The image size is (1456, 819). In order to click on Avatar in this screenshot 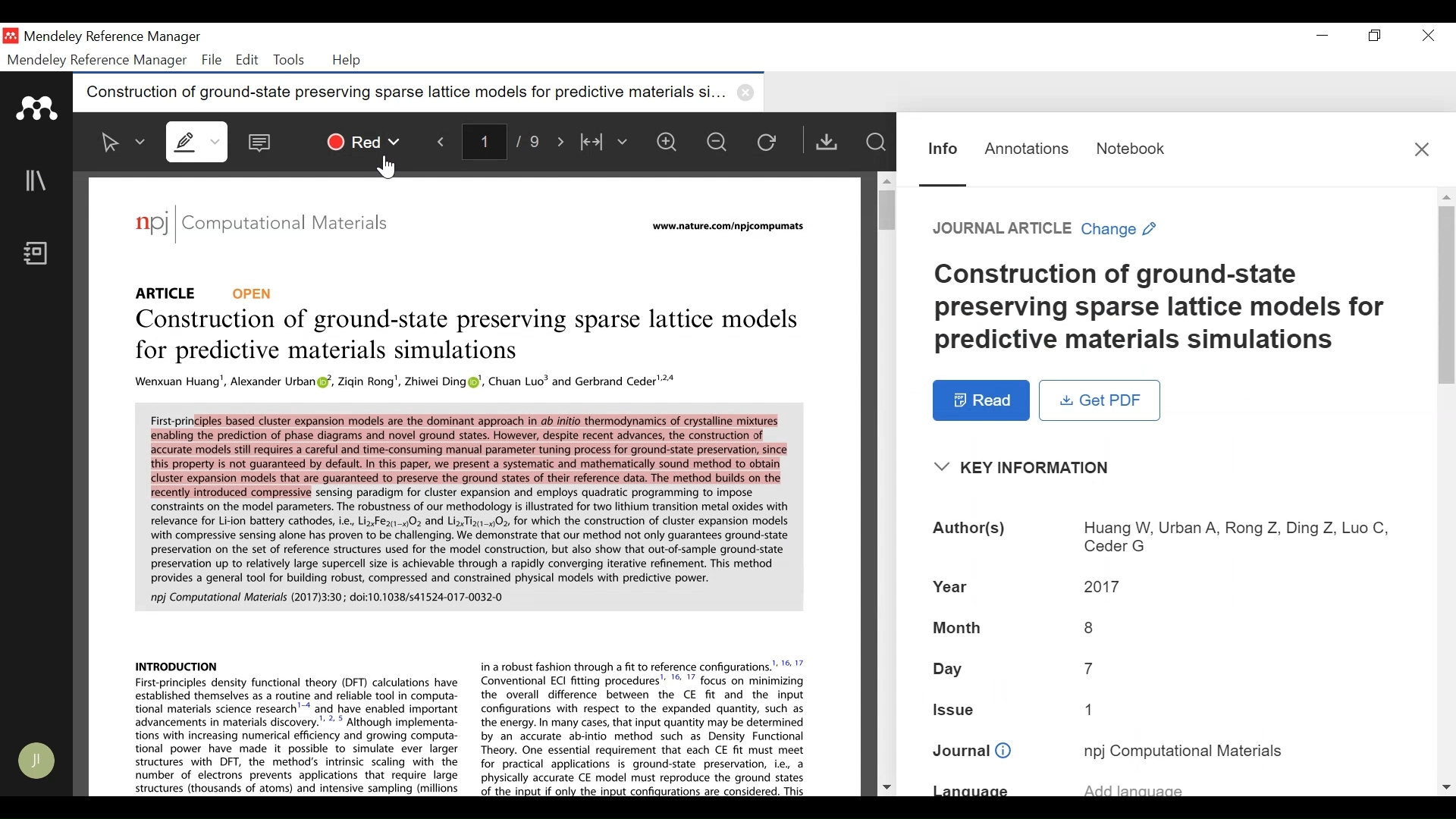, I will do `click(35, 761)`.